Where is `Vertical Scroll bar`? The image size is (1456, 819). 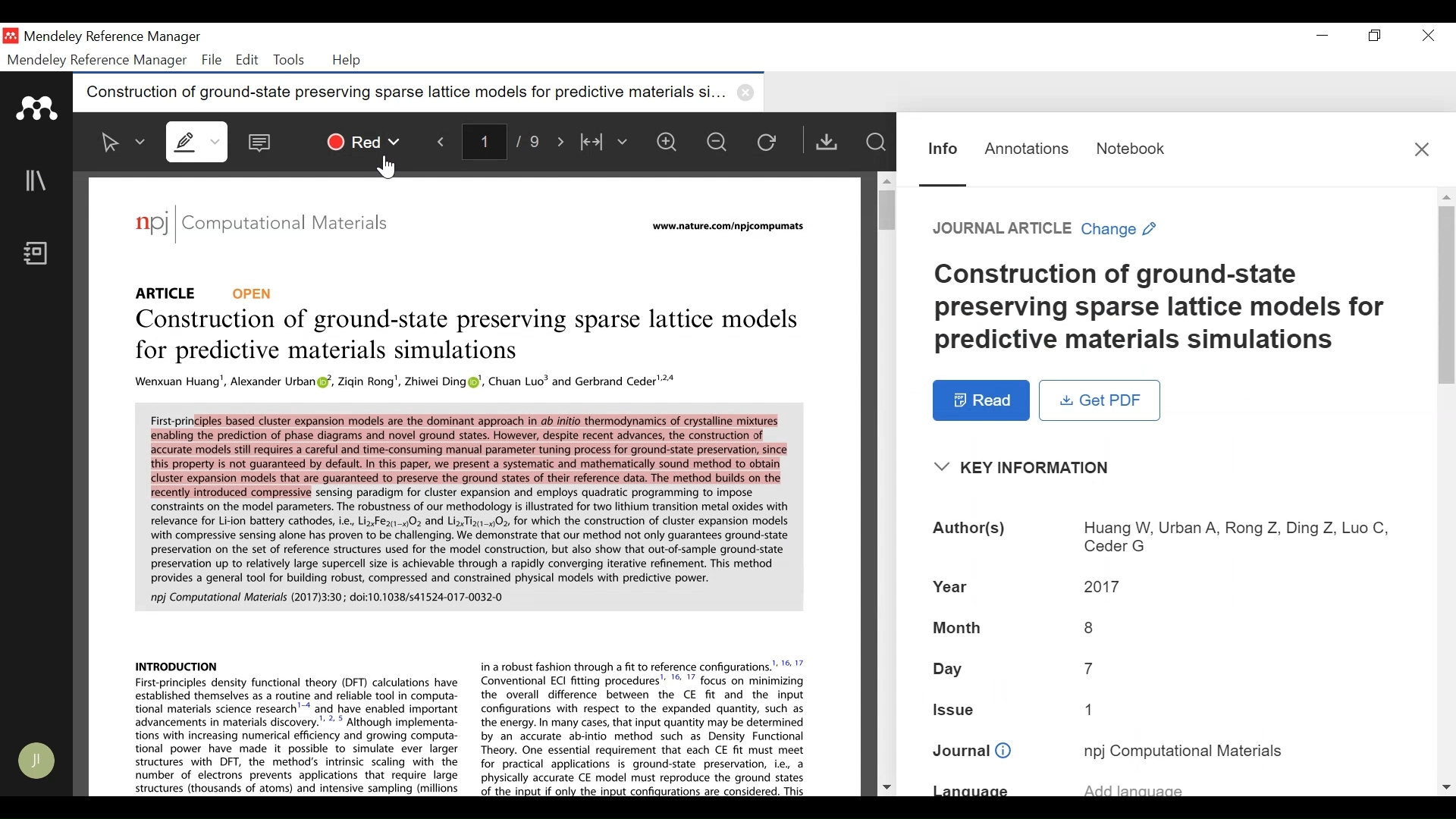
Vertical Scroll bar is located at coordinates (1447, 299).